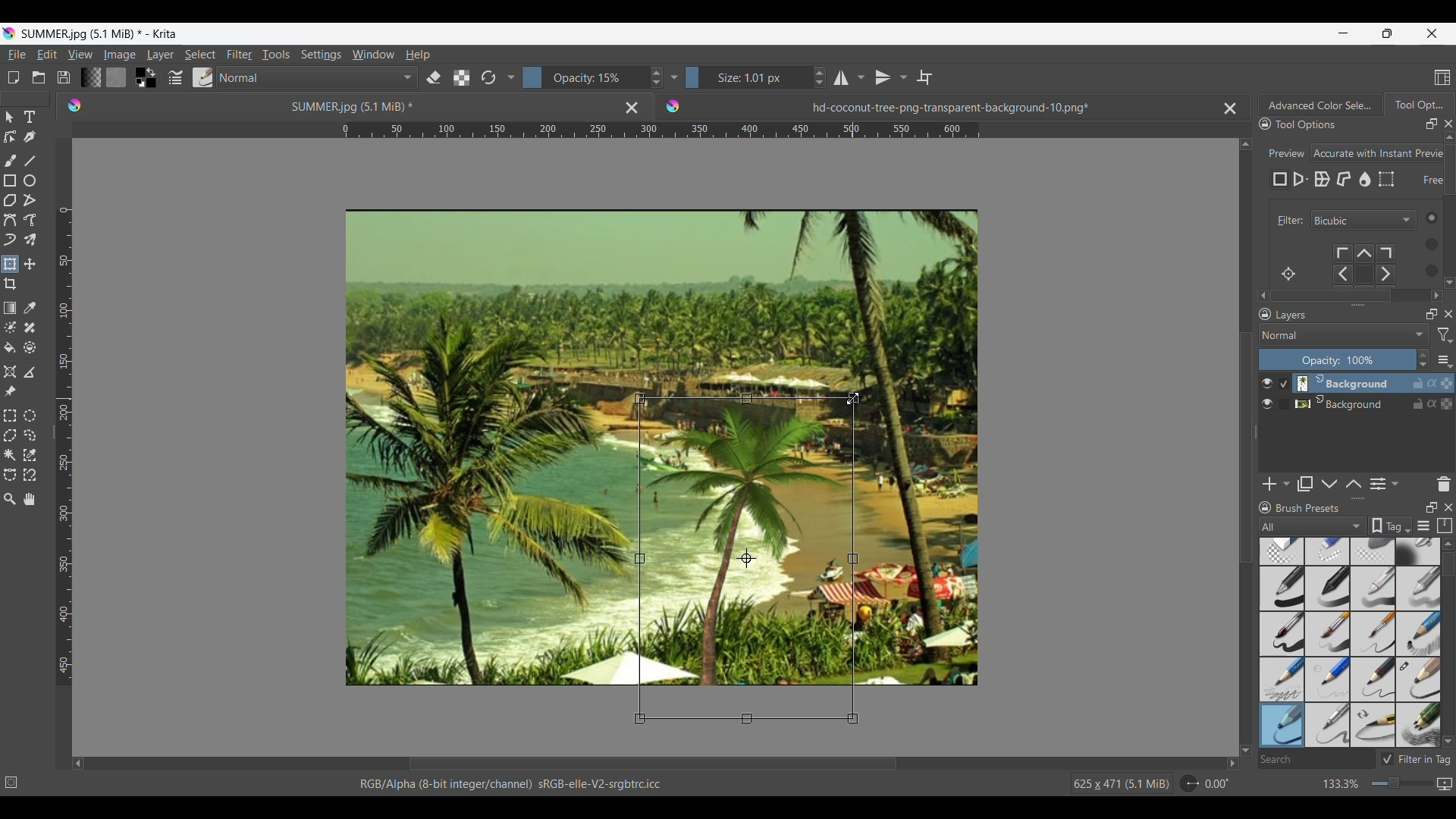 The height and width of the screenshot is (819, 1456). I want to click on Smart patch tool, so click(30, 327).